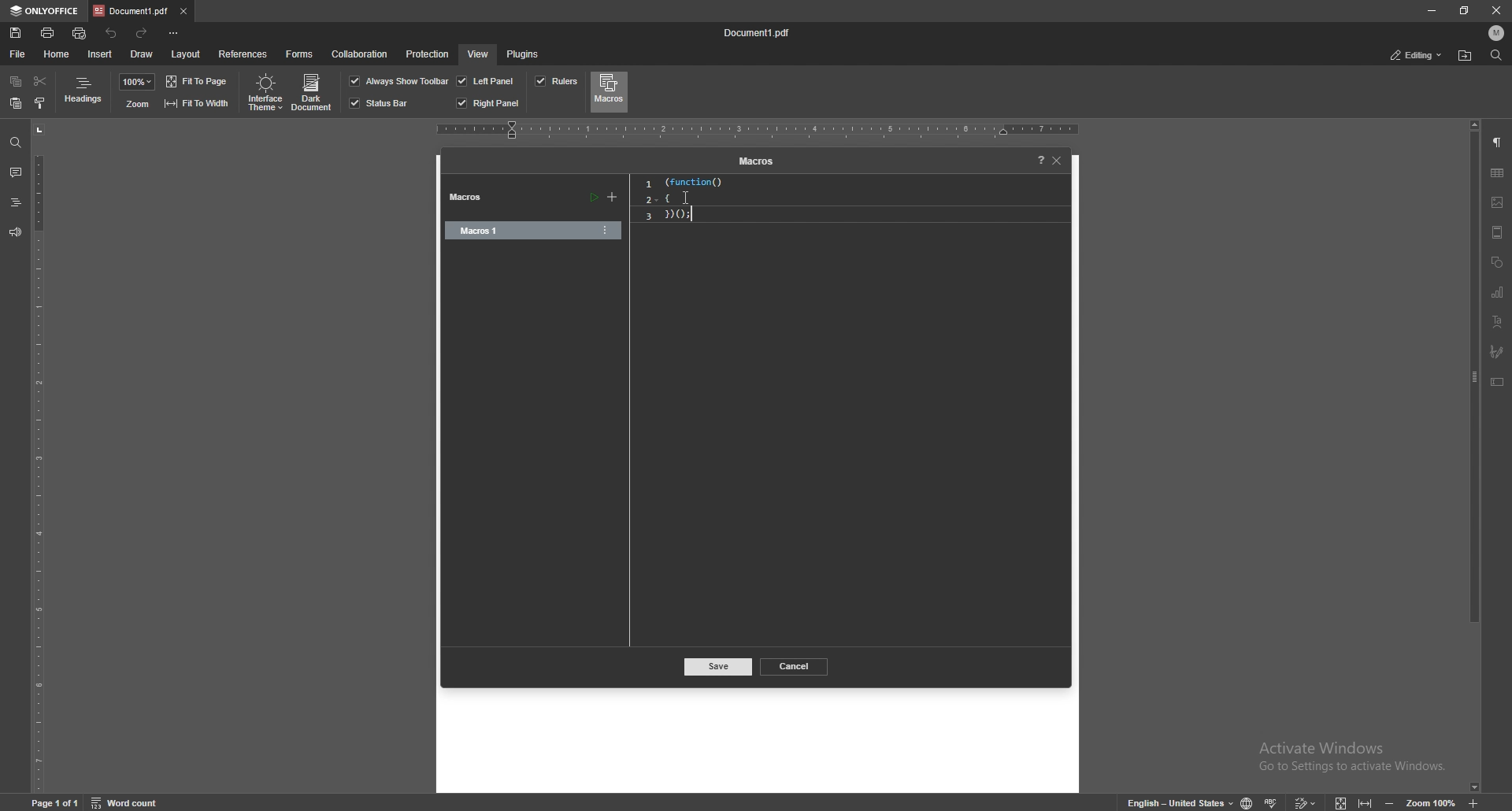 This screenshot has height=811, width=1512. What do you see at coordinates (313, 93) in the screenshot?
I see `dark document` at bounding box center [313, 93].